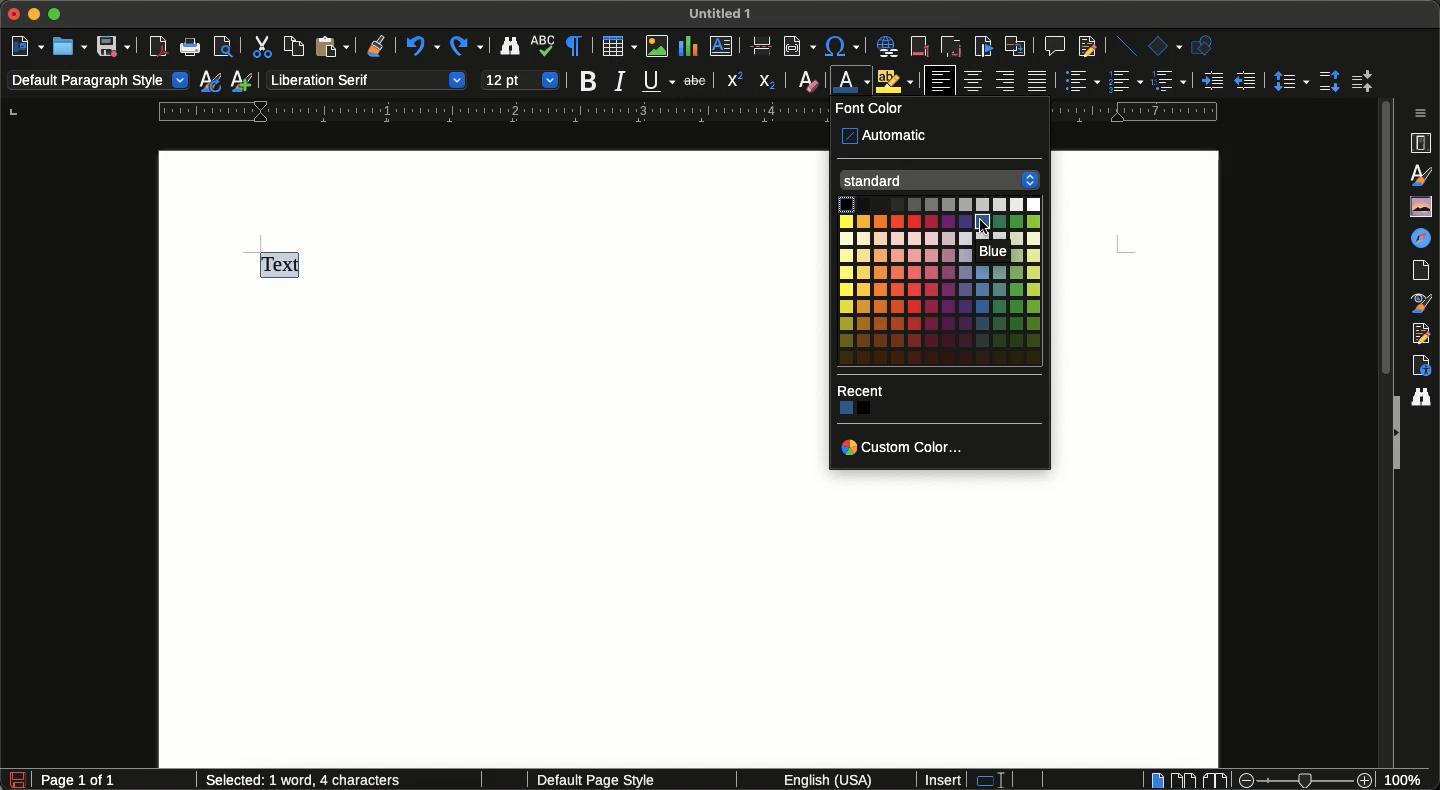  I want to click on English (USA), so click(820, 780).